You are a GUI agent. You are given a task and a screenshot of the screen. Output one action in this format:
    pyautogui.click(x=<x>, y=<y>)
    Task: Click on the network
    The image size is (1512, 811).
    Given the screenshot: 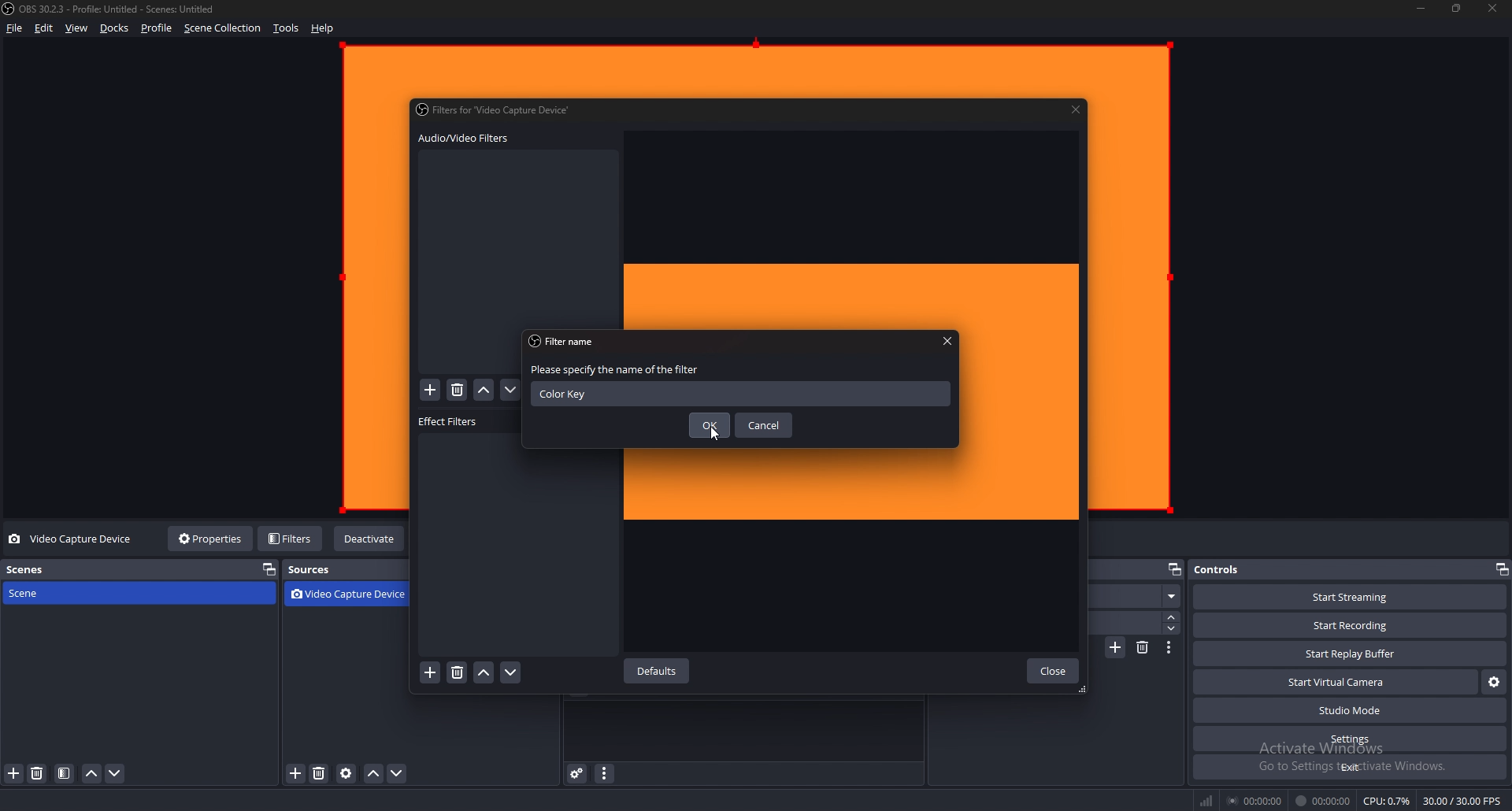 What is the action you would take?
    pyautogui.click(x=1209, y=800)
    